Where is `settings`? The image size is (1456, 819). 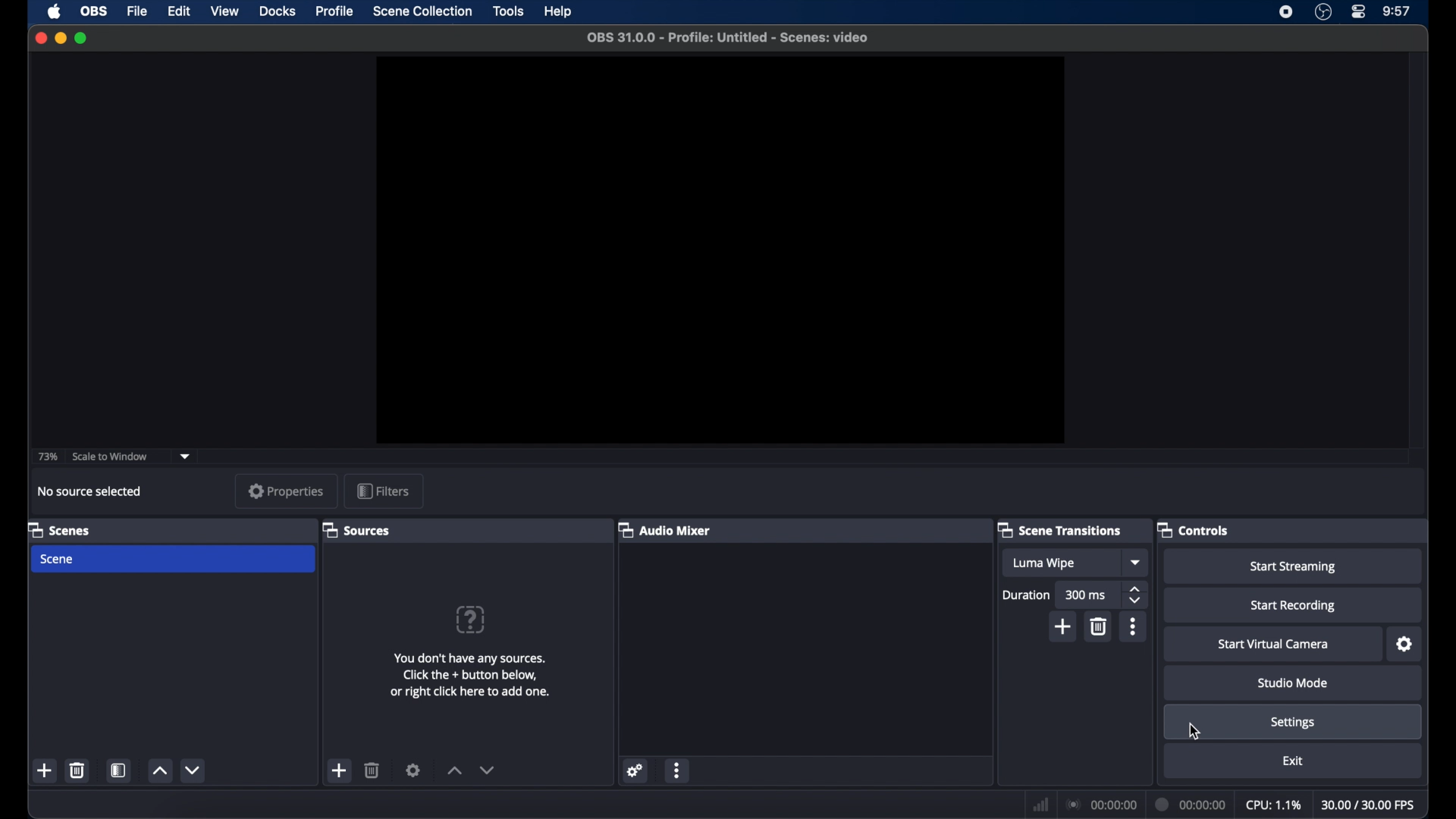
settings is located at coordinates (1405, 645).